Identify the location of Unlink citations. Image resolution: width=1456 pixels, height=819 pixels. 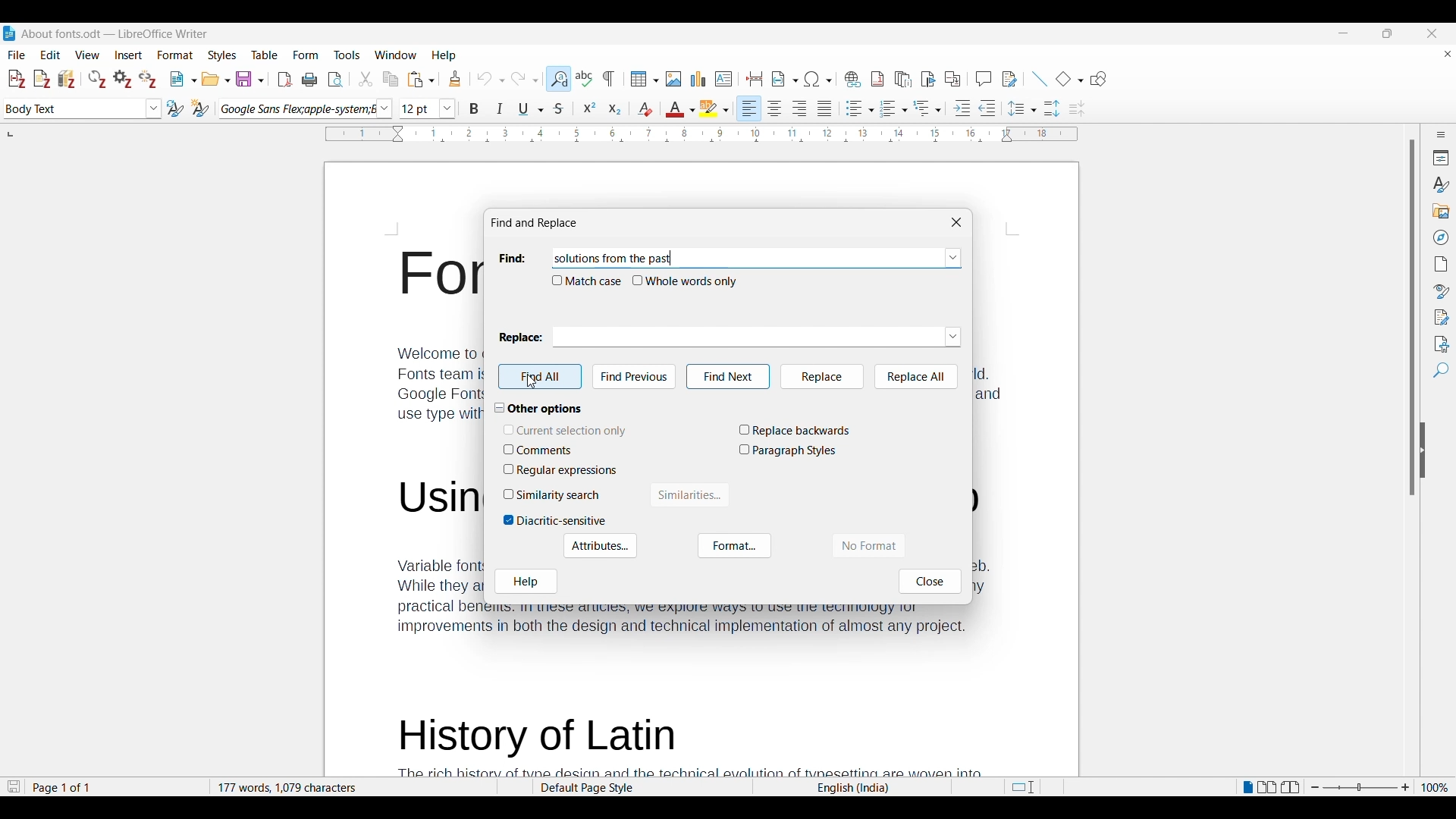
(148, 79).